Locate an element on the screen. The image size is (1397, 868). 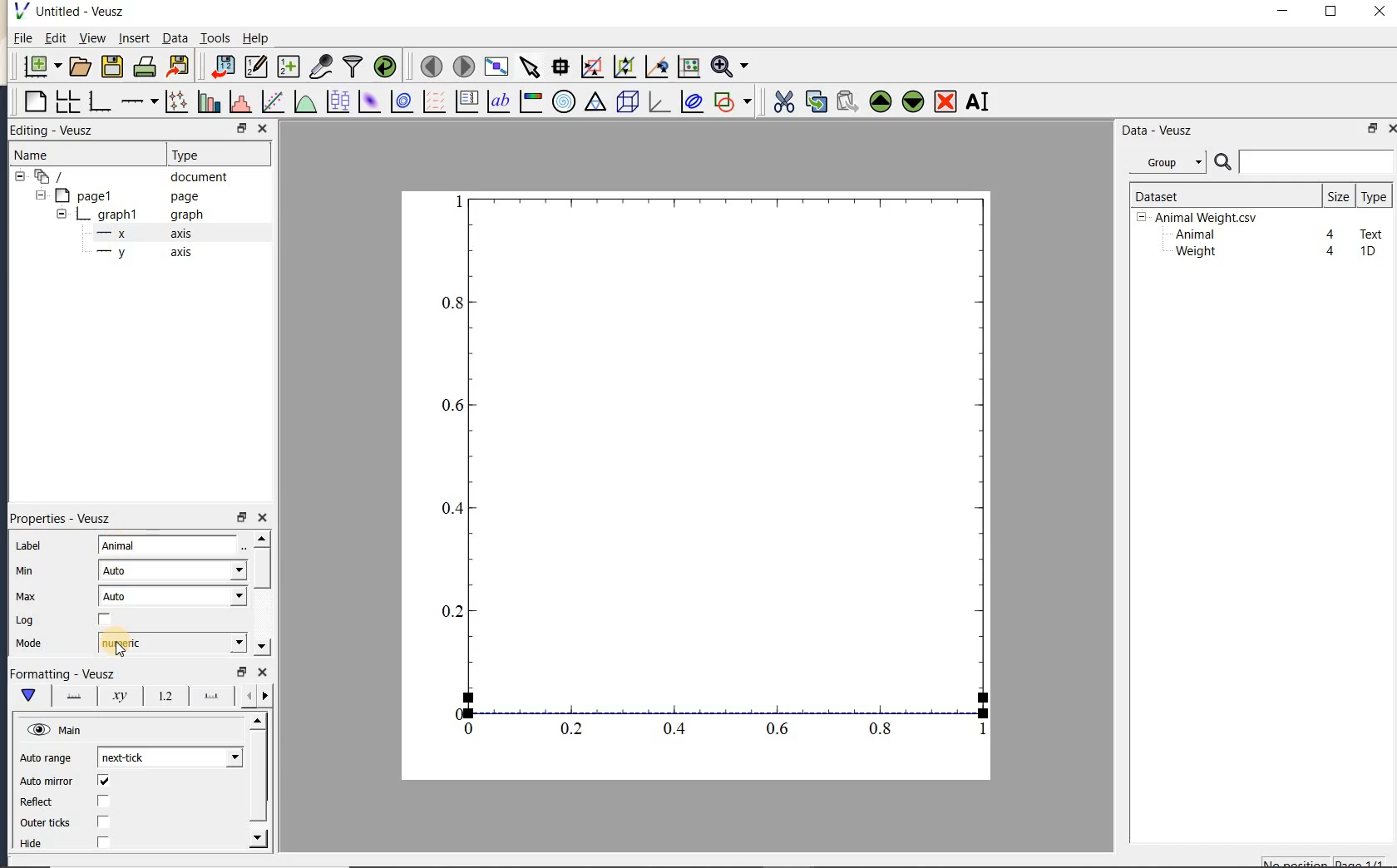
plot covariance ellipses is located at coordinates (690, 101).